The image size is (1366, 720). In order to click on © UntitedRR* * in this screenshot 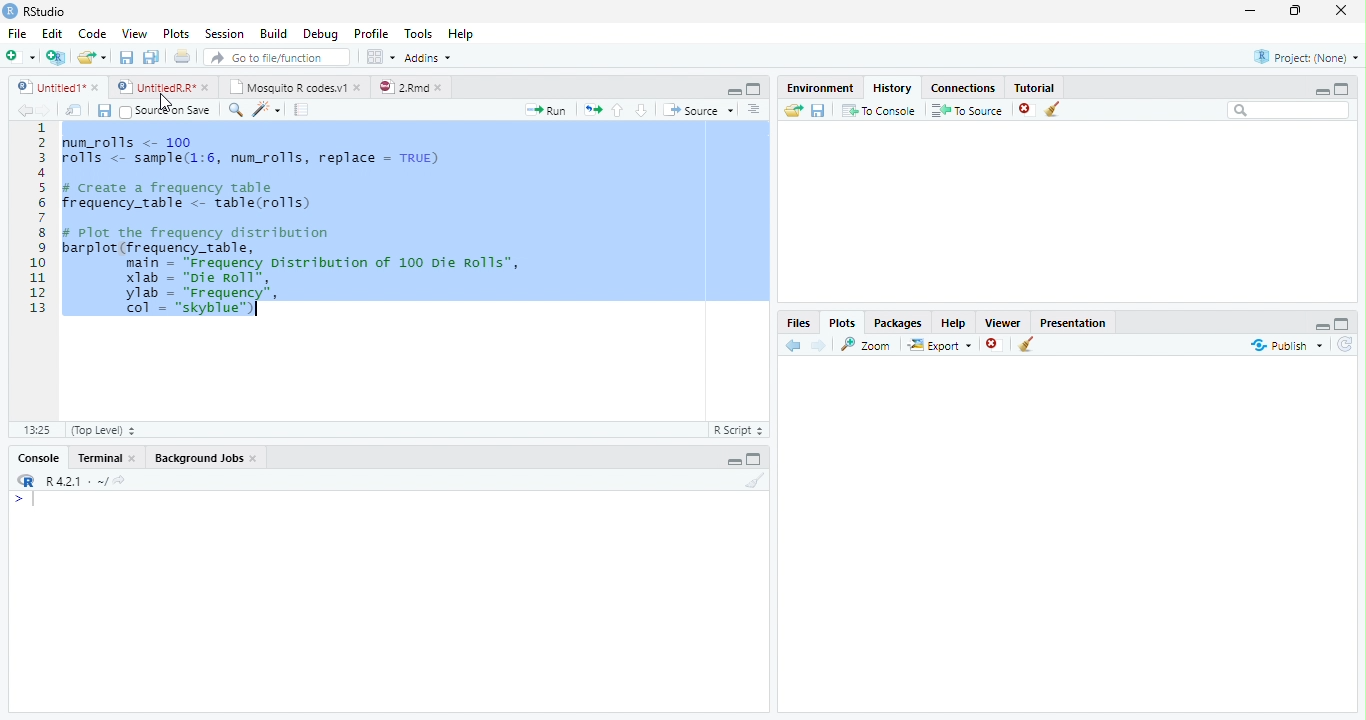, I will do `click(165, 87)`.